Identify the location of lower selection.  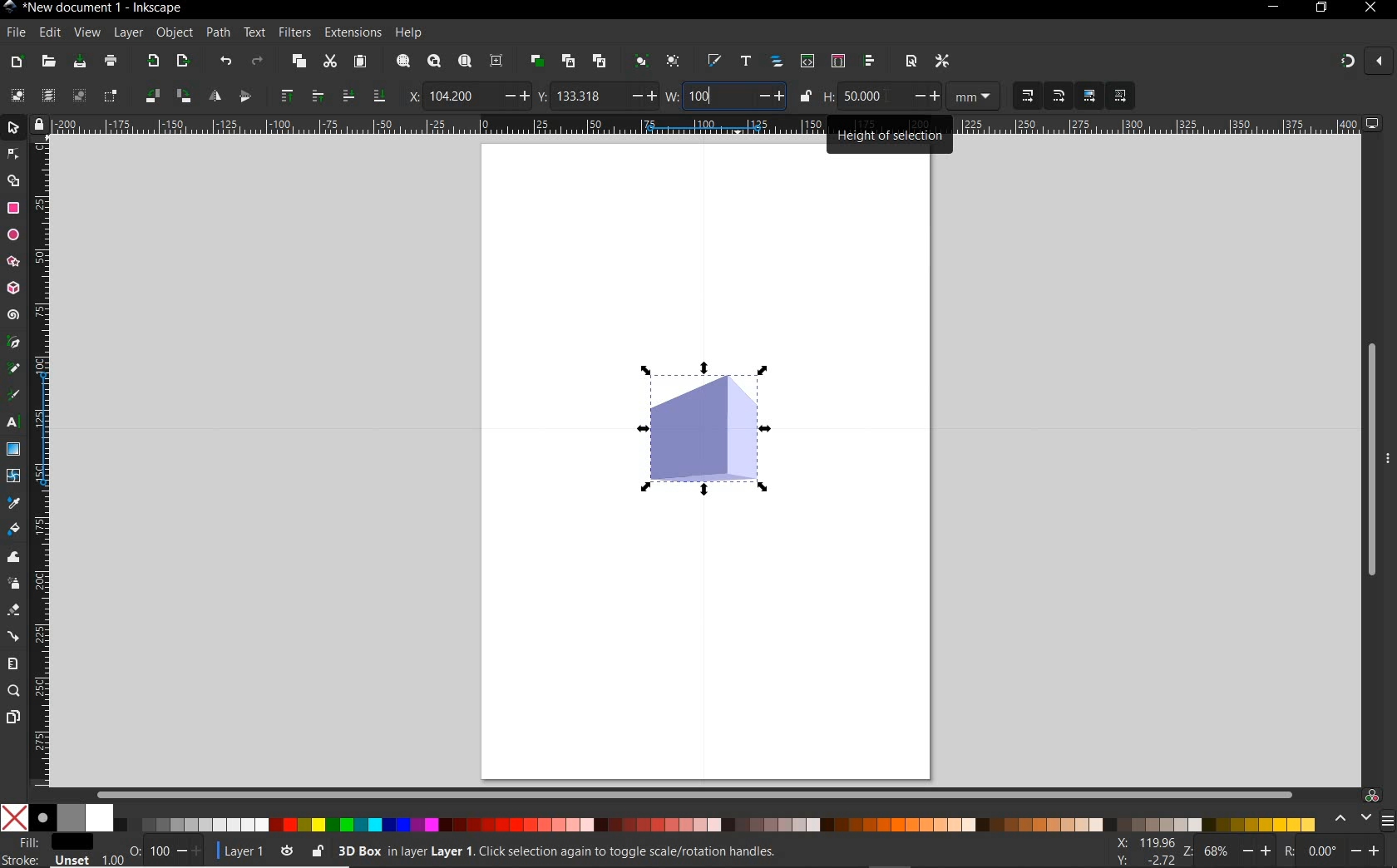
(380, 96).